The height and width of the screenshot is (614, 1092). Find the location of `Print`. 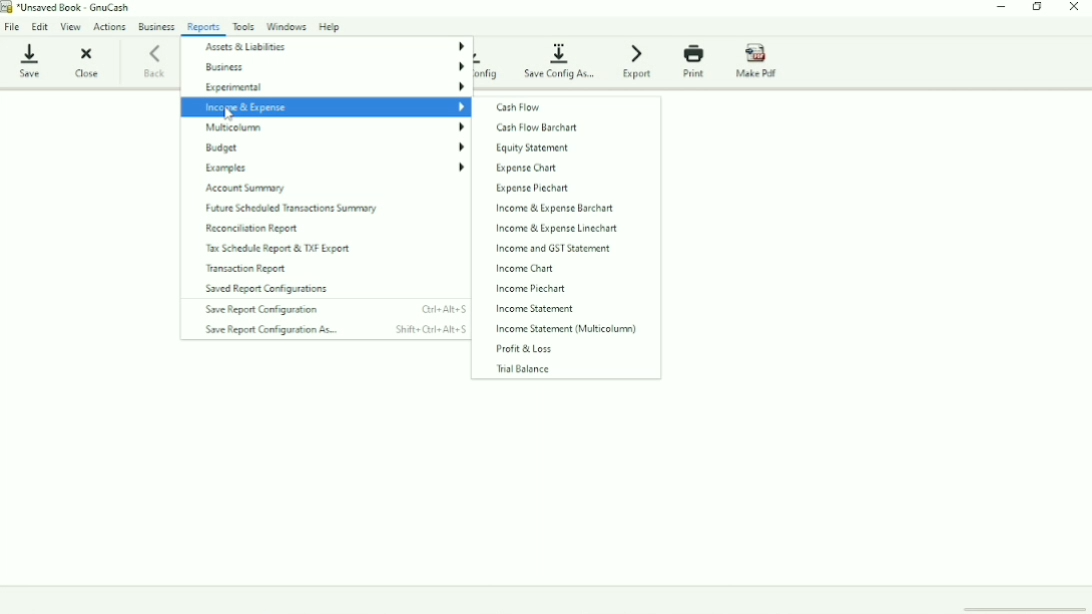

Print is located at coordinates (696, 61).